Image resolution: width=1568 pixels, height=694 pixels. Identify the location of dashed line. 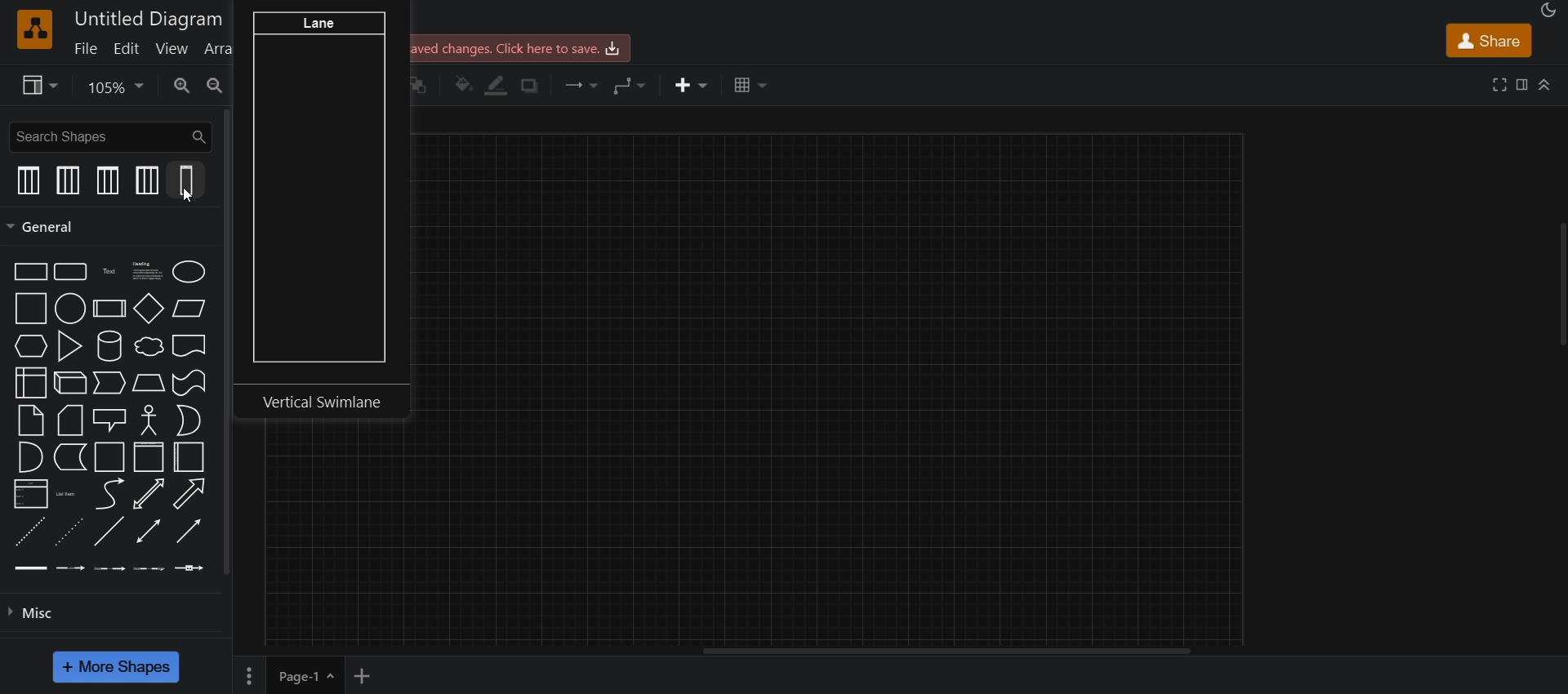
(25, 532).